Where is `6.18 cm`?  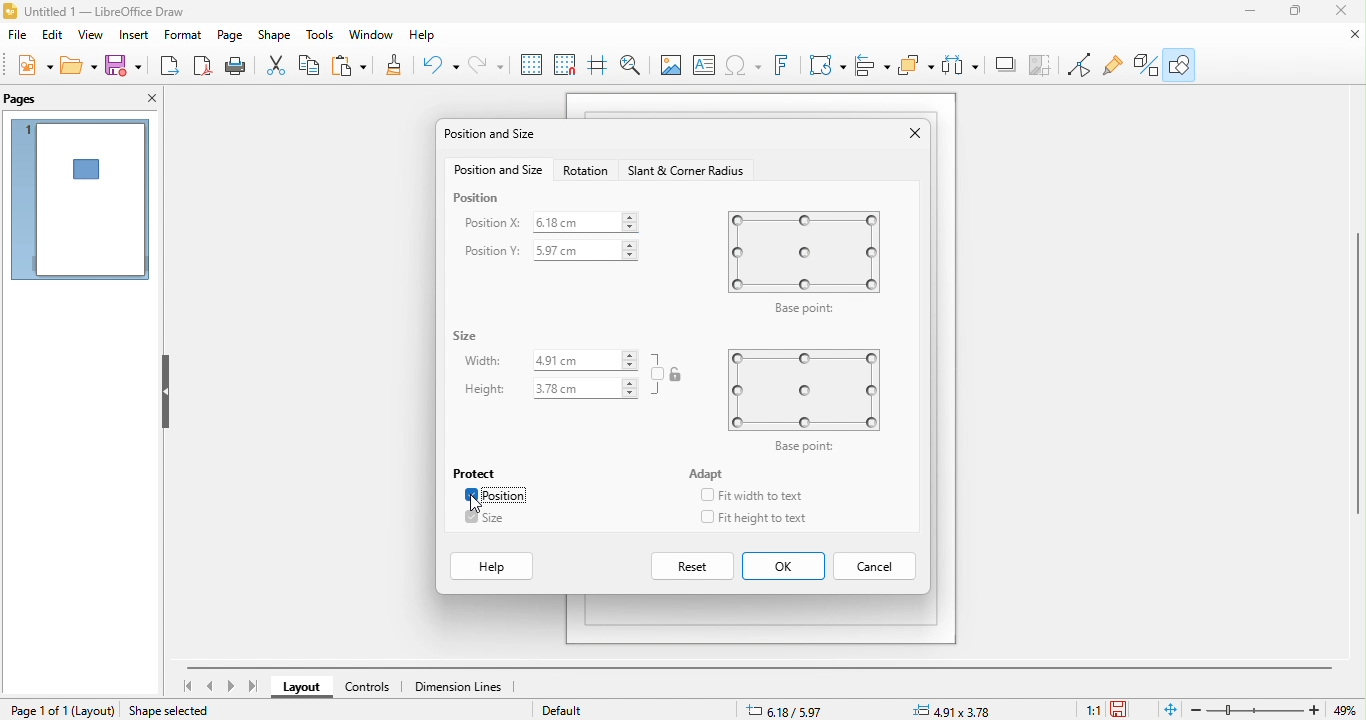 6.18 cm is located at coordinates (584, 221).